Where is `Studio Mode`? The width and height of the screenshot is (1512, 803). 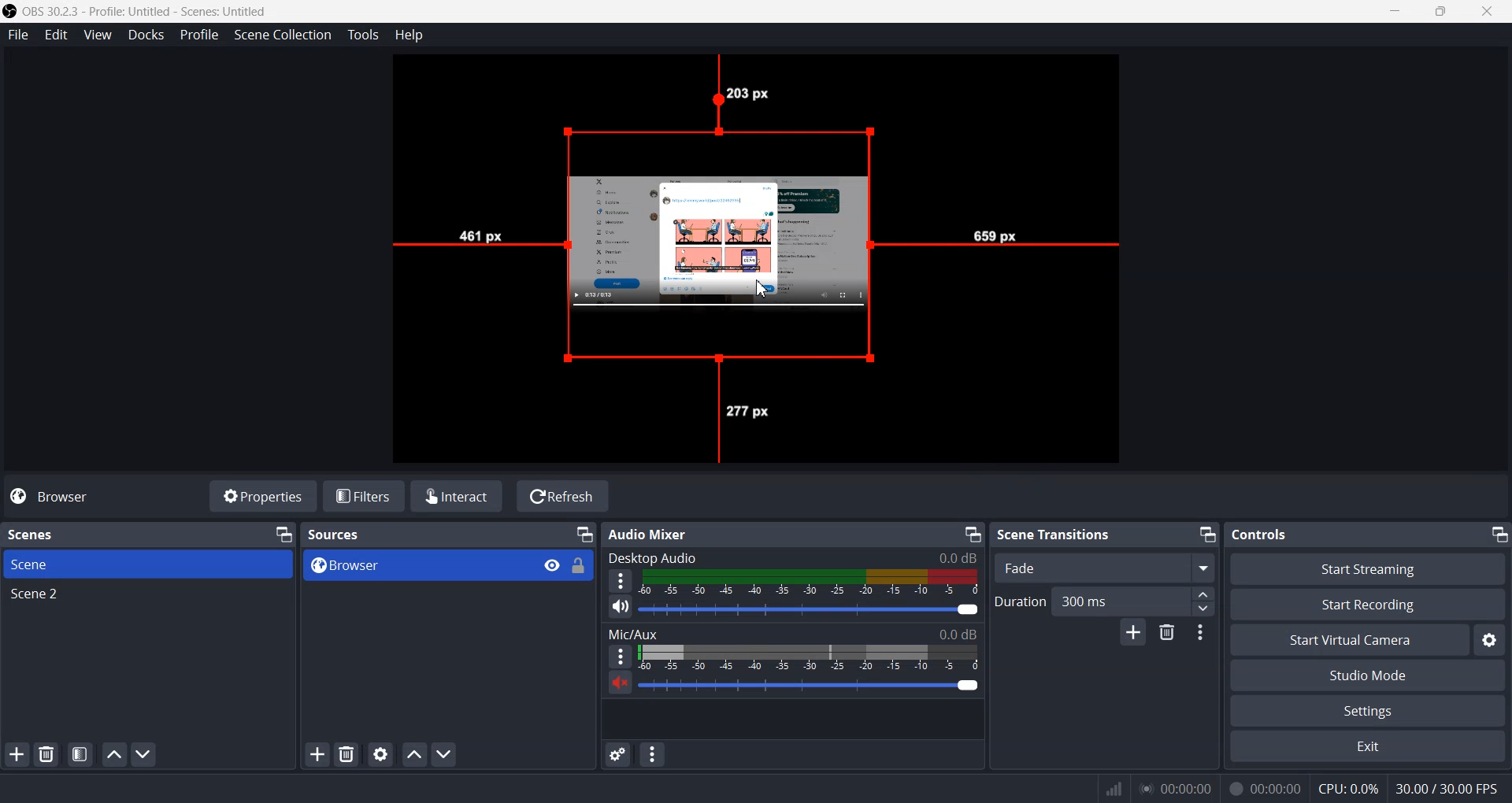 Studio Mode is located at coordinates (1370, 675).